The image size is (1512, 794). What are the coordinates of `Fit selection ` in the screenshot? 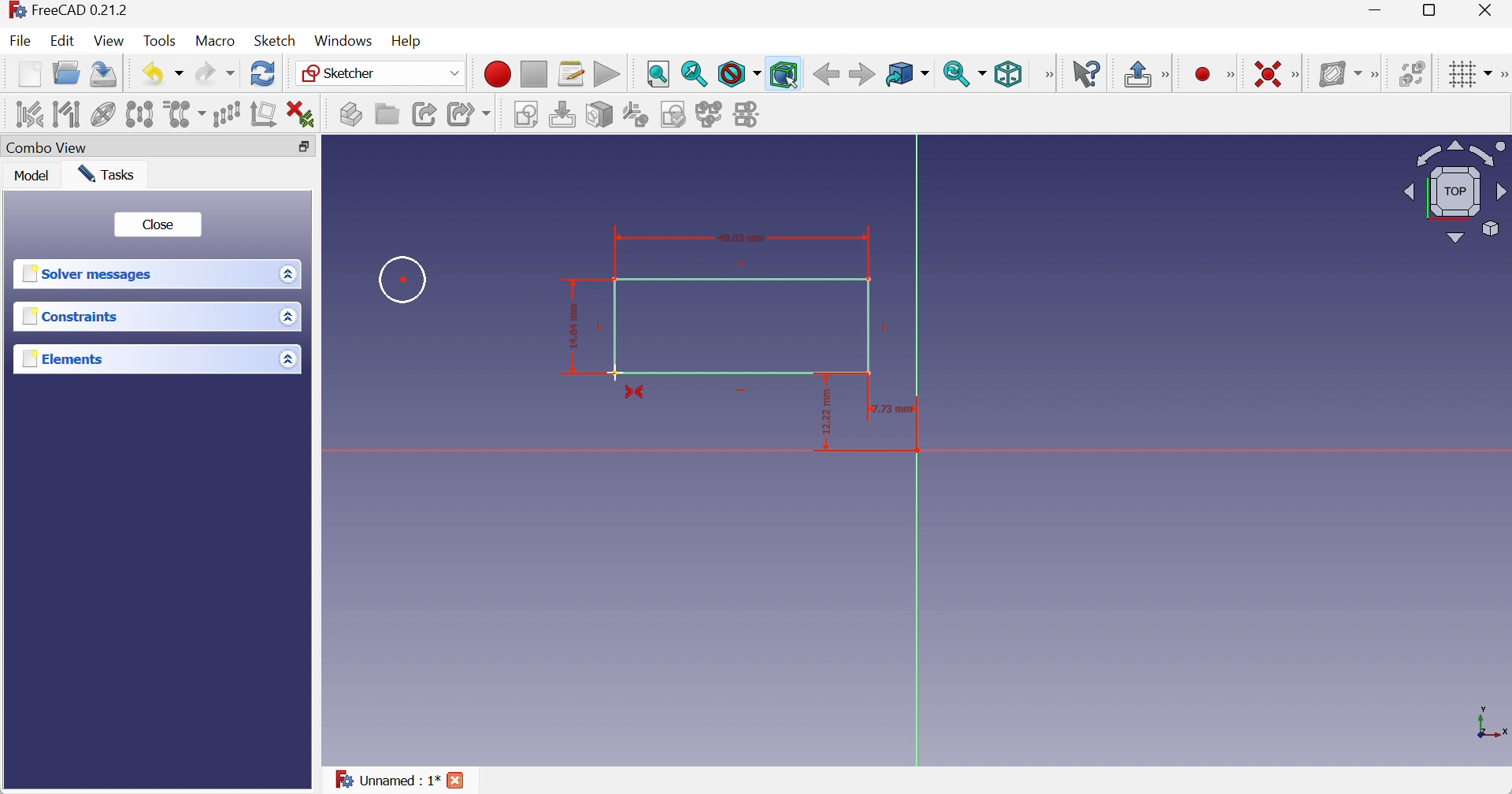 It's located at (695, 73).